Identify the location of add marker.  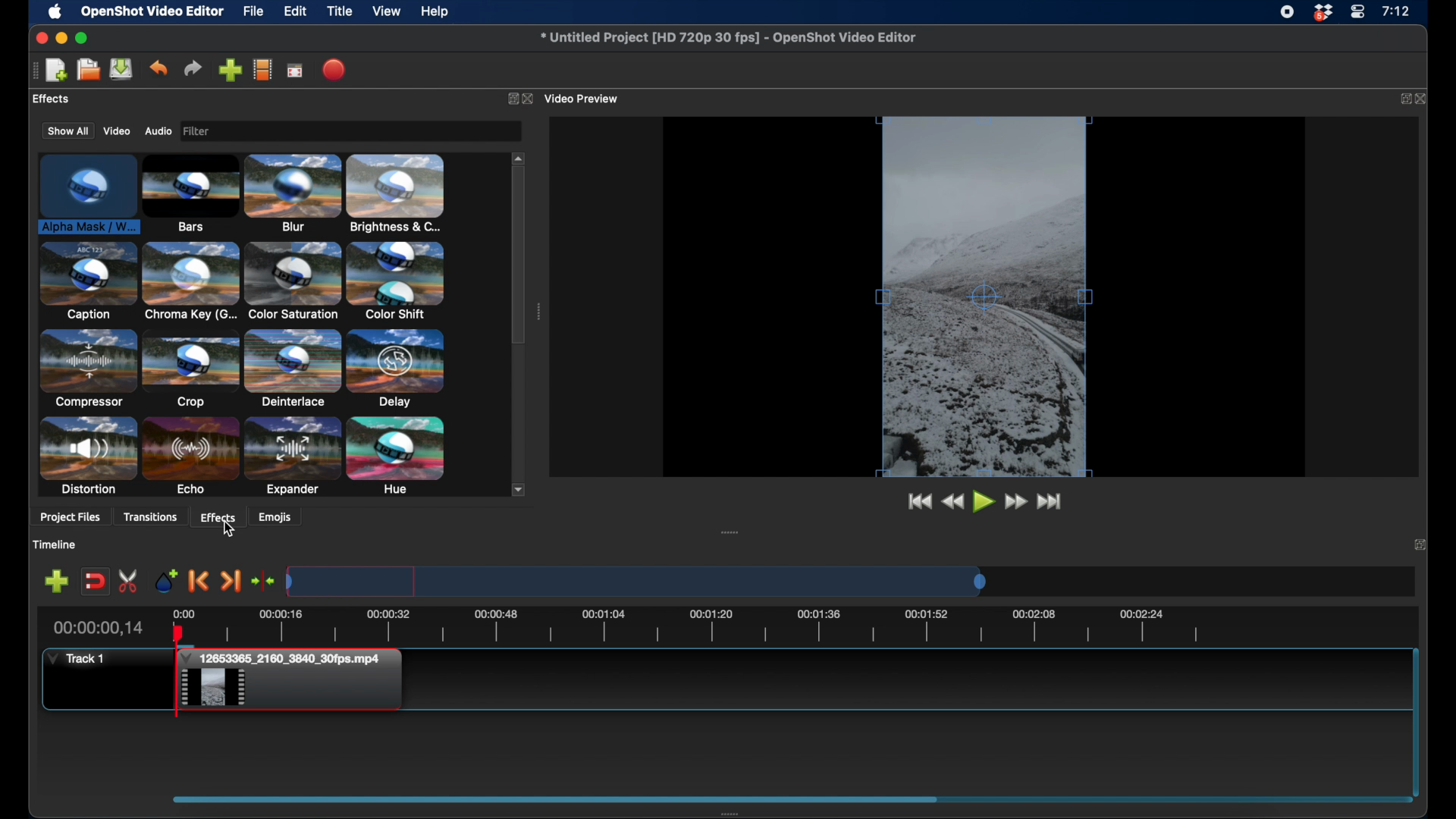
(165, 580).